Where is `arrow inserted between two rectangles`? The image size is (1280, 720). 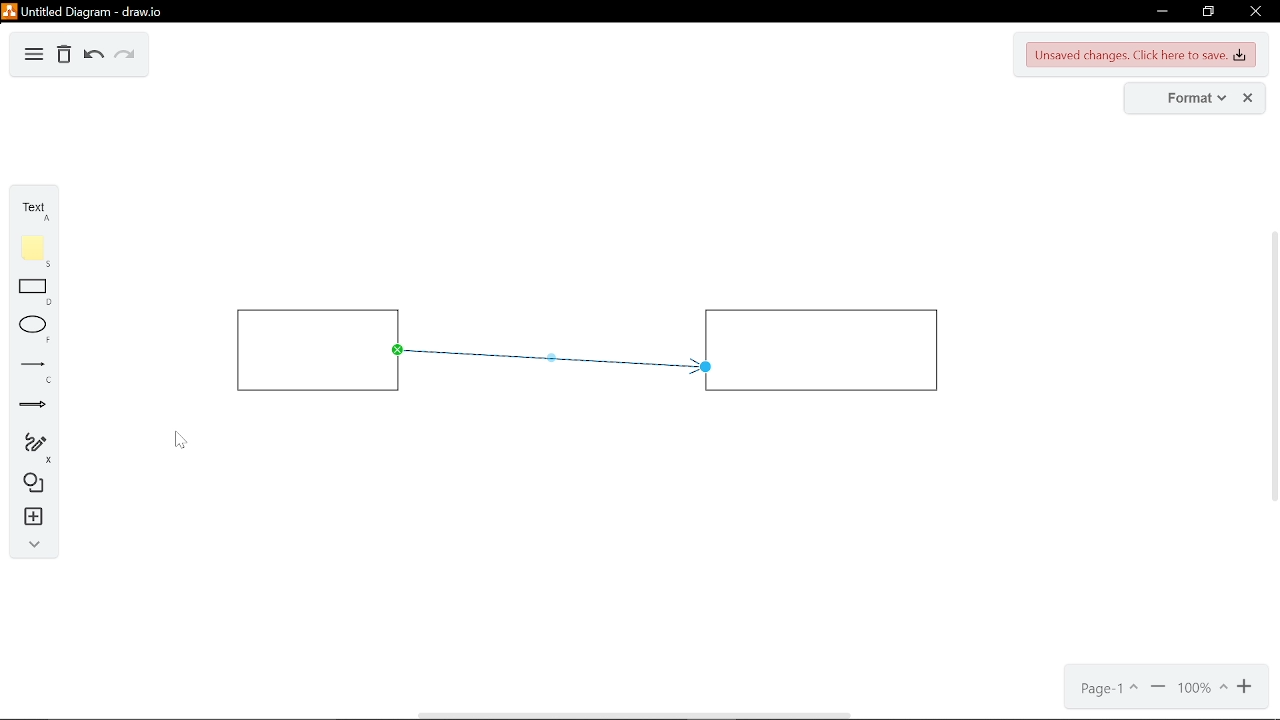 arrow inserted between two rectangles is located at coordinates (552, 359).